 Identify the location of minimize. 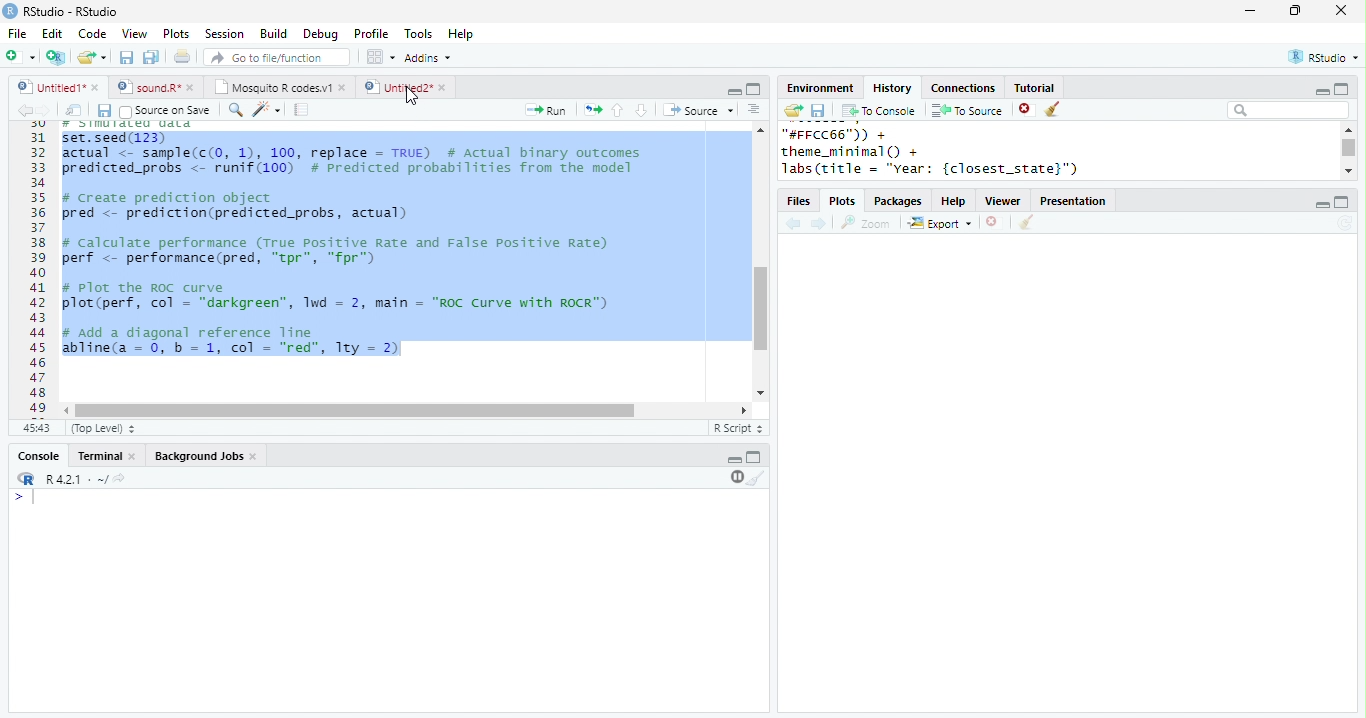
(1321, 92).